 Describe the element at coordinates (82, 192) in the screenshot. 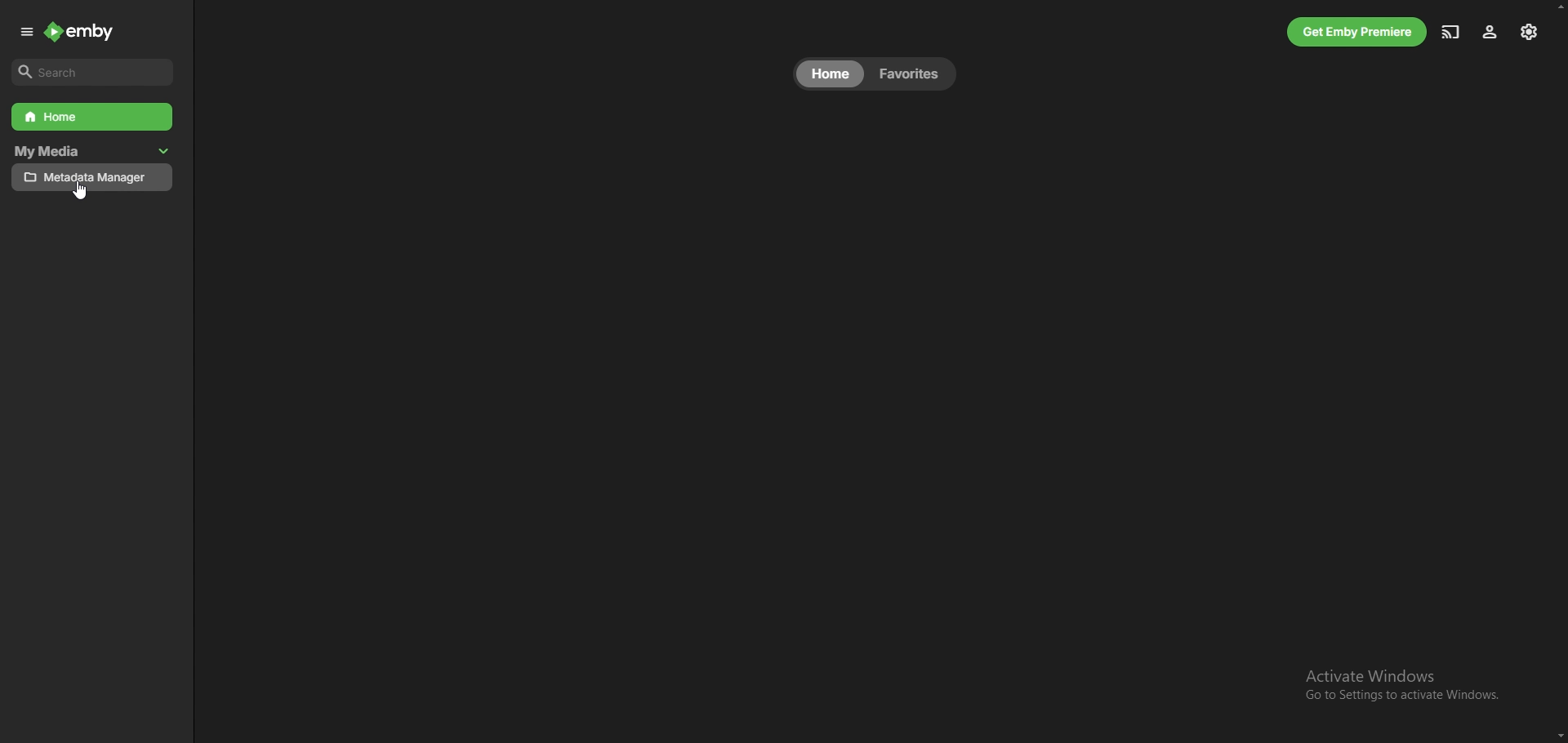

I see `Cursor` at that location.